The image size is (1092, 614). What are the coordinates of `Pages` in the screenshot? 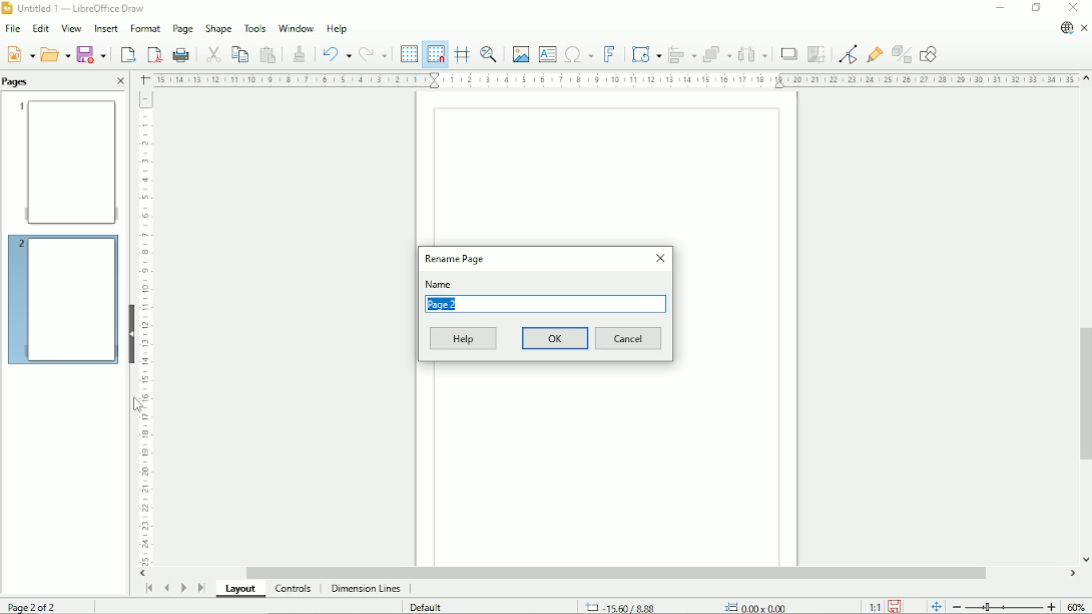 It's located at (18, 81).